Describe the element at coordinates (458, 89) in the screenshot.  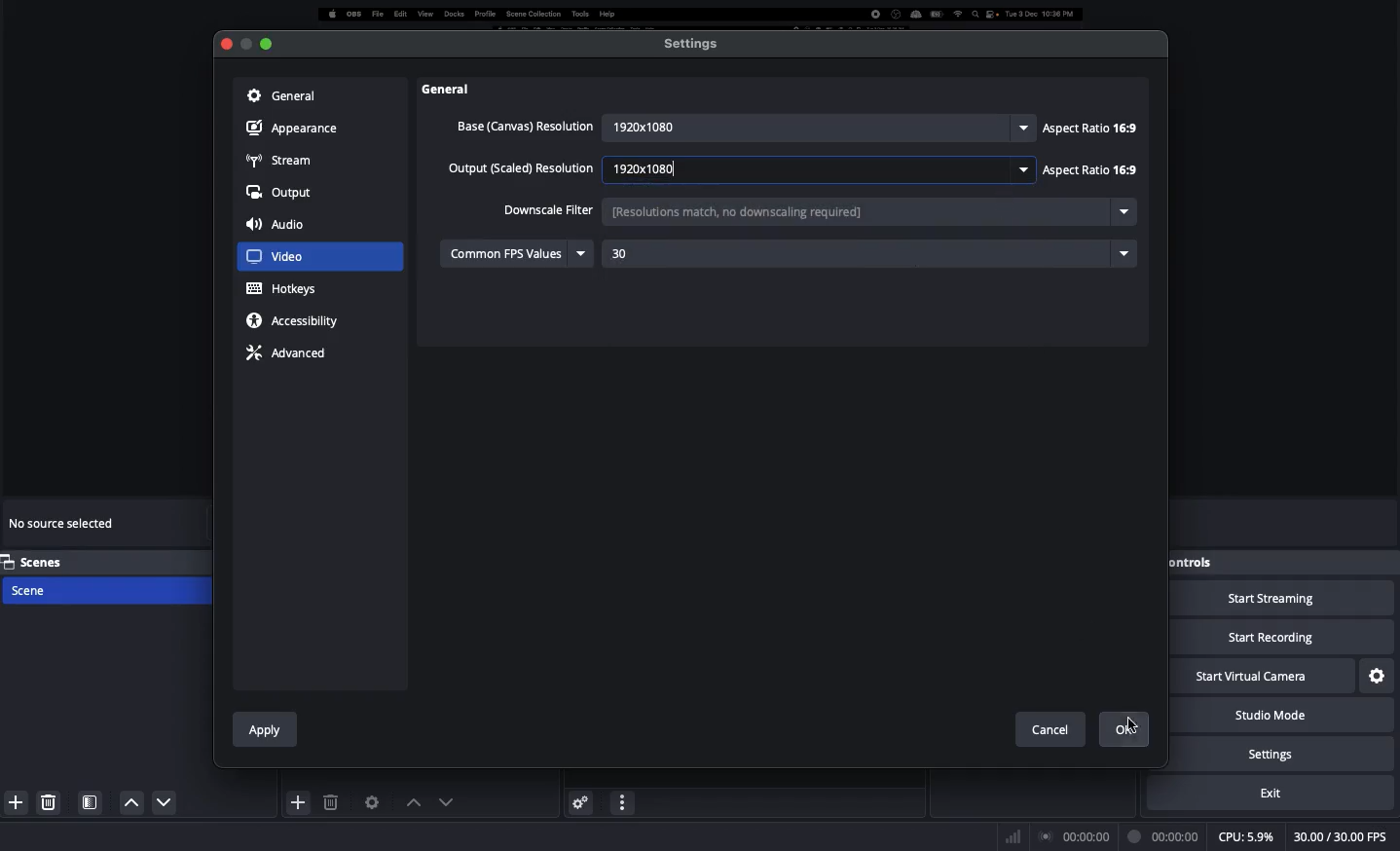
I see `` at that location.